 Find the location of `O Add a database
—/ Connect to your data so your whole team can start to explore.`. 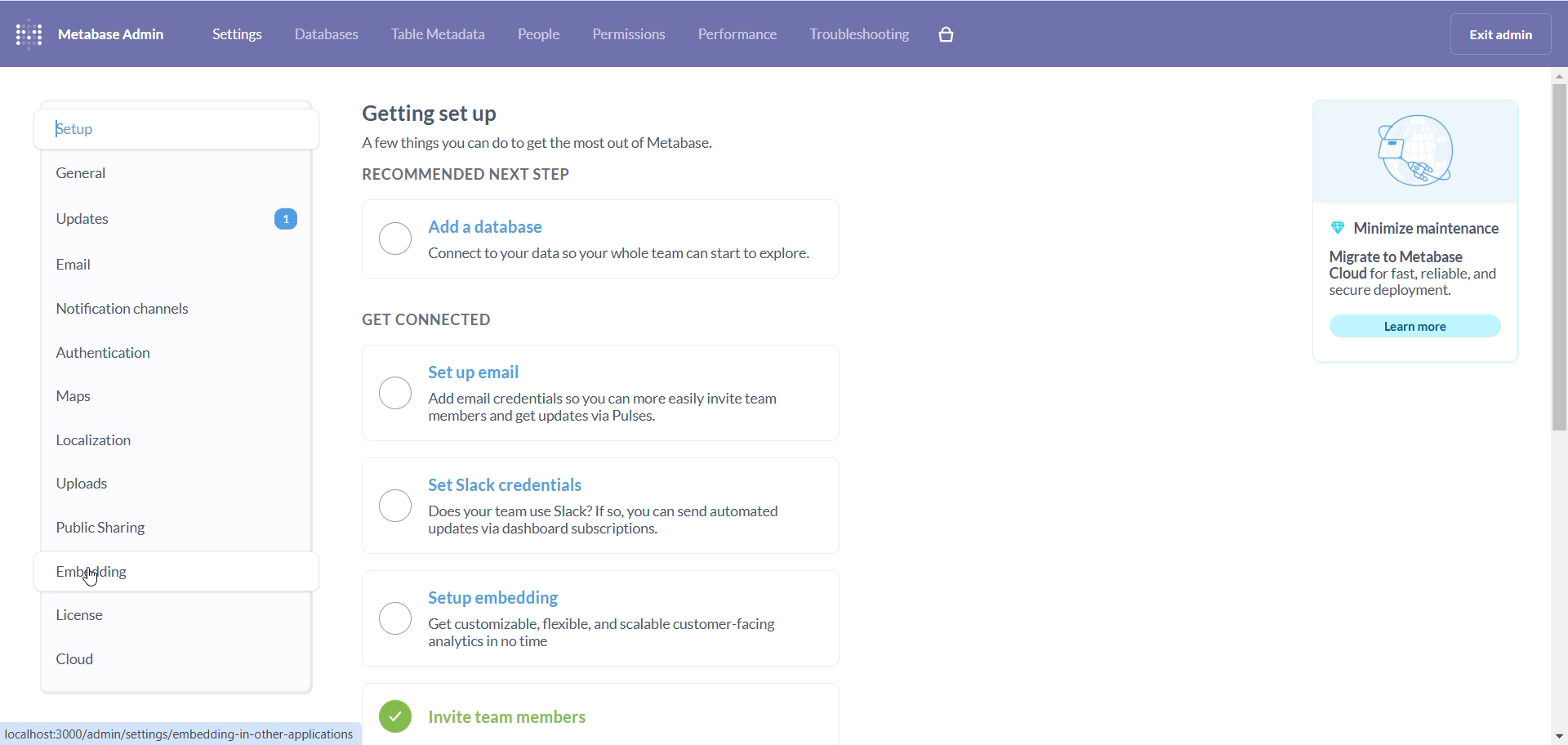

O Add a database
—/ Connect to your data so your whole team can start to explore. is located at coordinates (598, 239).